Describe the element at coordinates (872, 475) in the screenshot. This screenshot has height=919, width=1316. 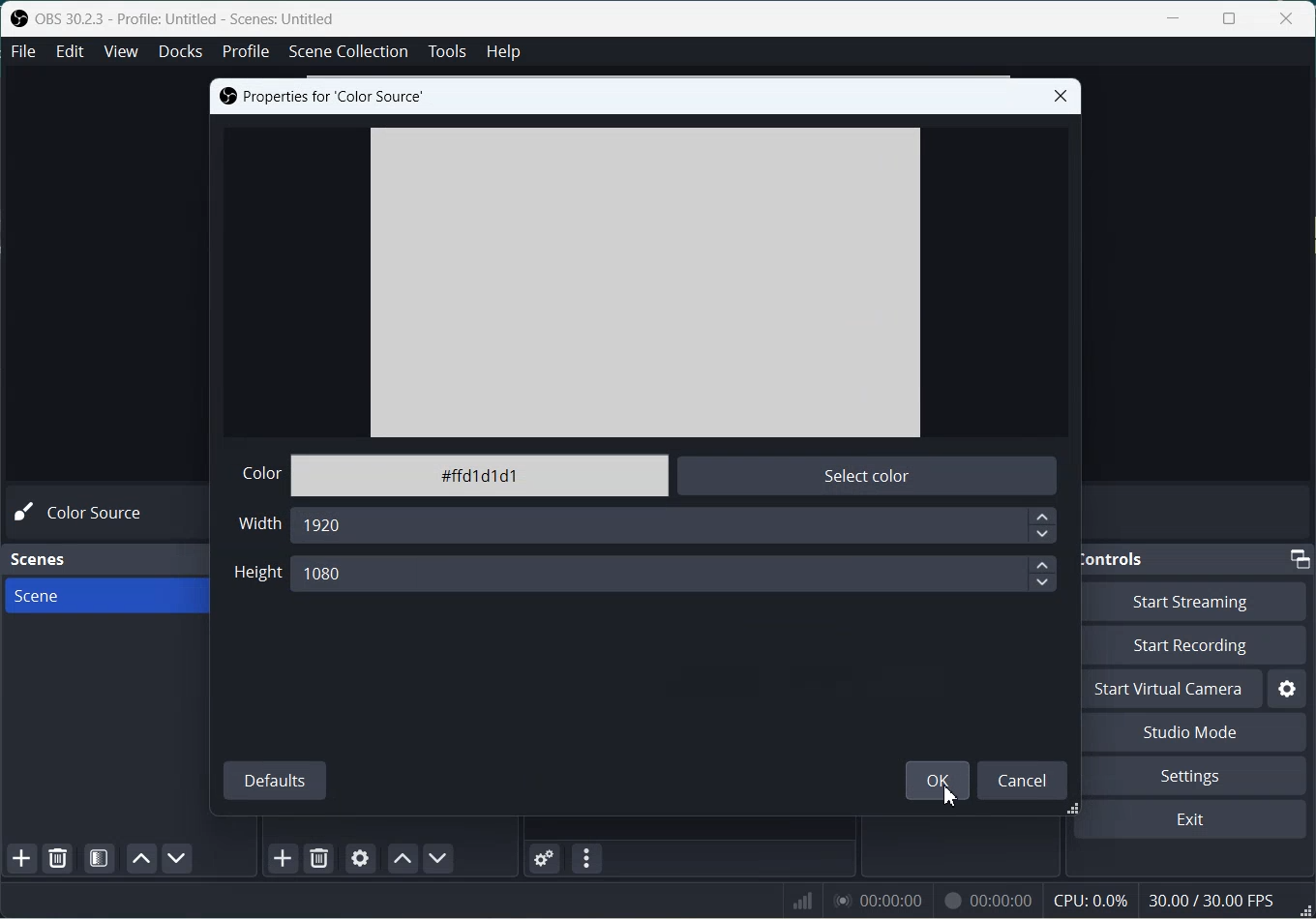
I see `Select color` at that location.